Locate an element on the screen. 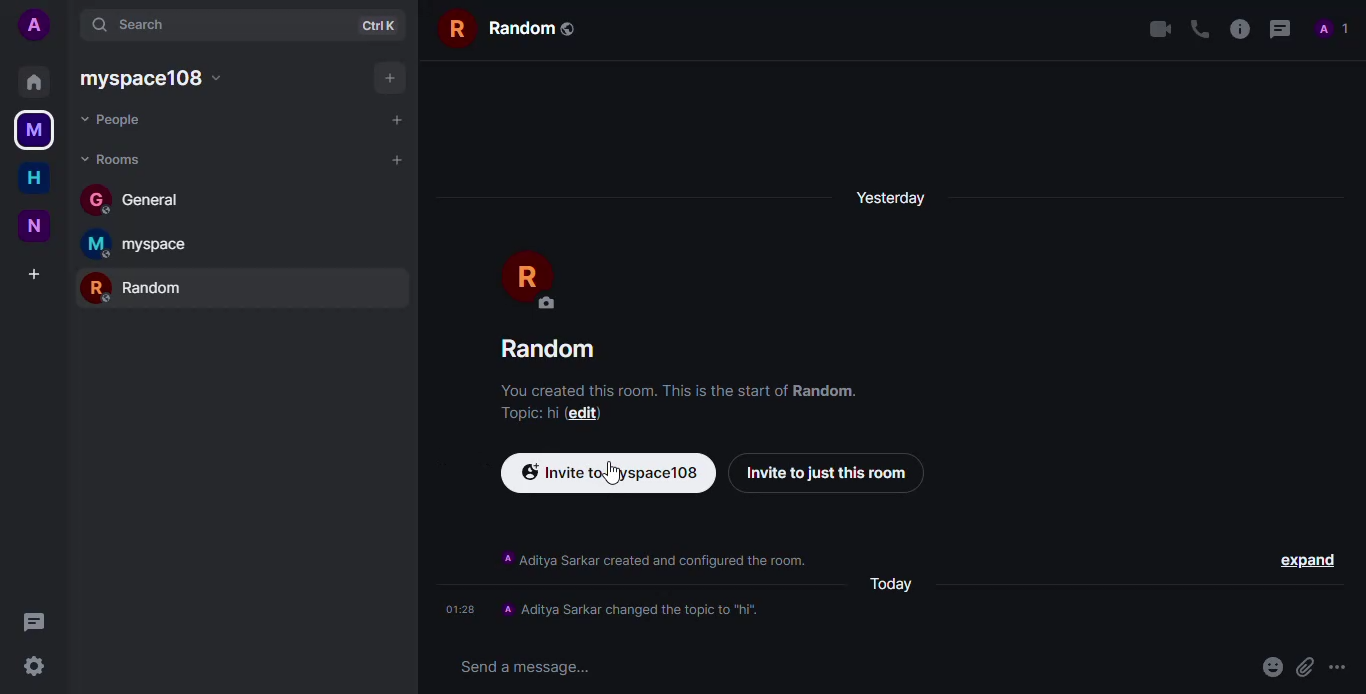  search is located at coordinates (138, 23).